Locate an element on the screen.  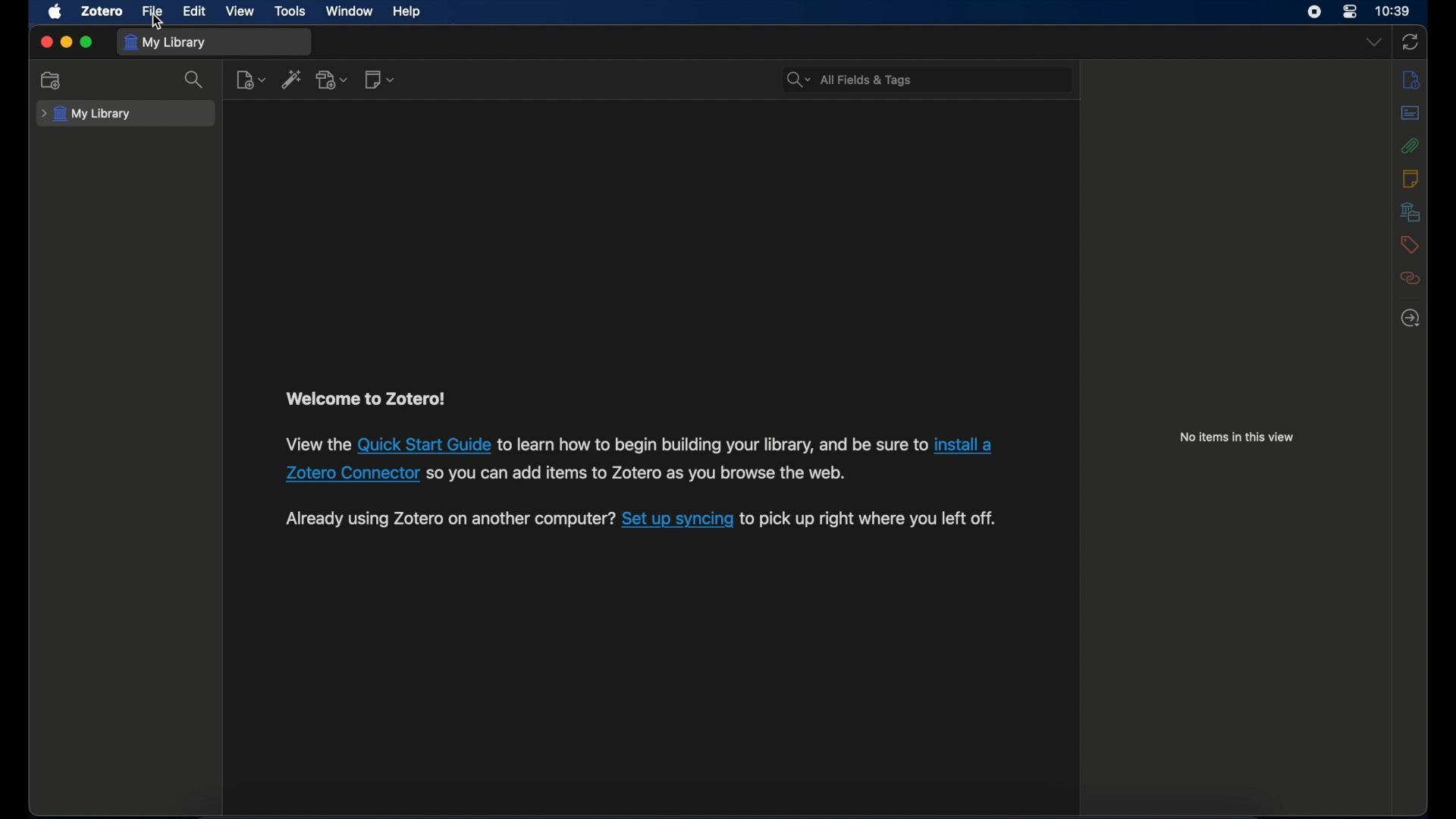
to pick up right where you left off. is located at coordinates (871, 518).